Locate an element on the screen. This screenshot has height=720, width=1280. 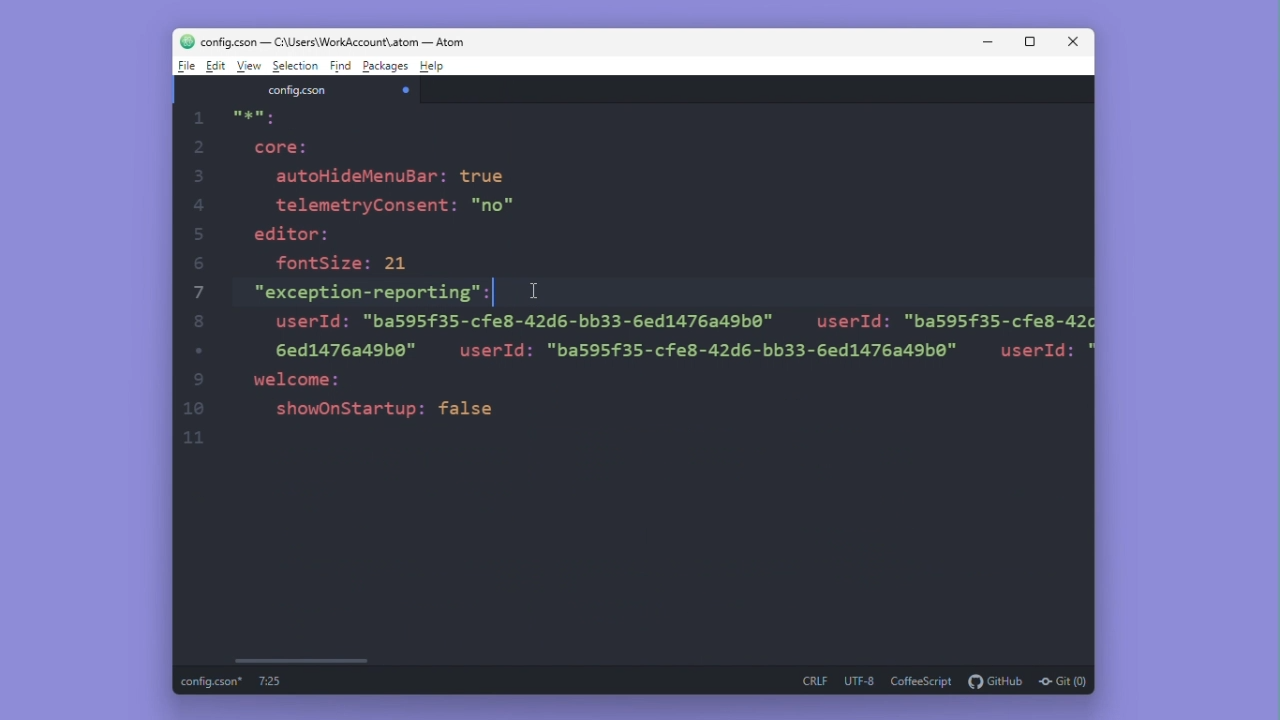
7:25 is located at coordinates (269, 681).